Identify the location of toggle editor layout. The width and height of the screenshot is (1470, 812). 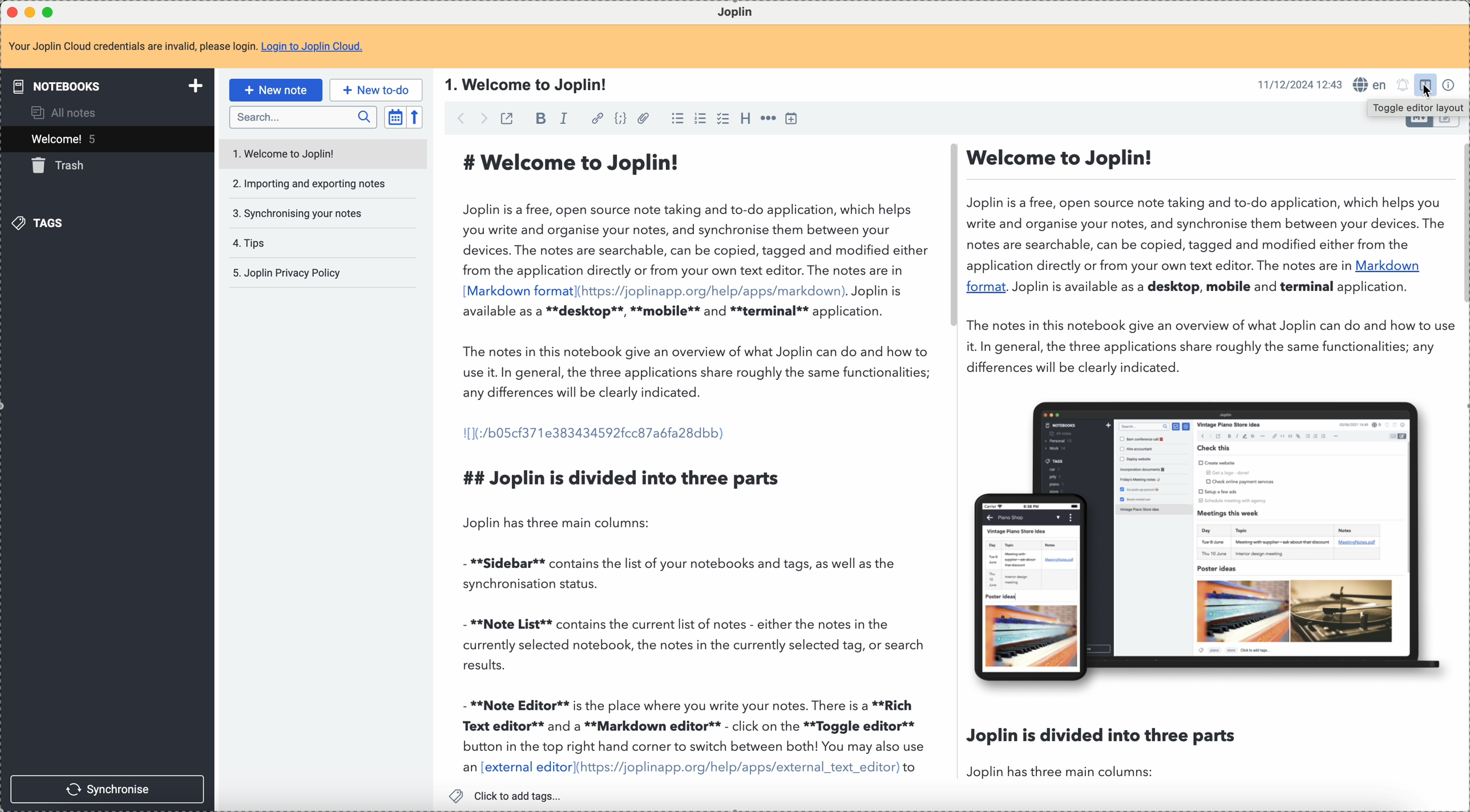
(1425, 84).